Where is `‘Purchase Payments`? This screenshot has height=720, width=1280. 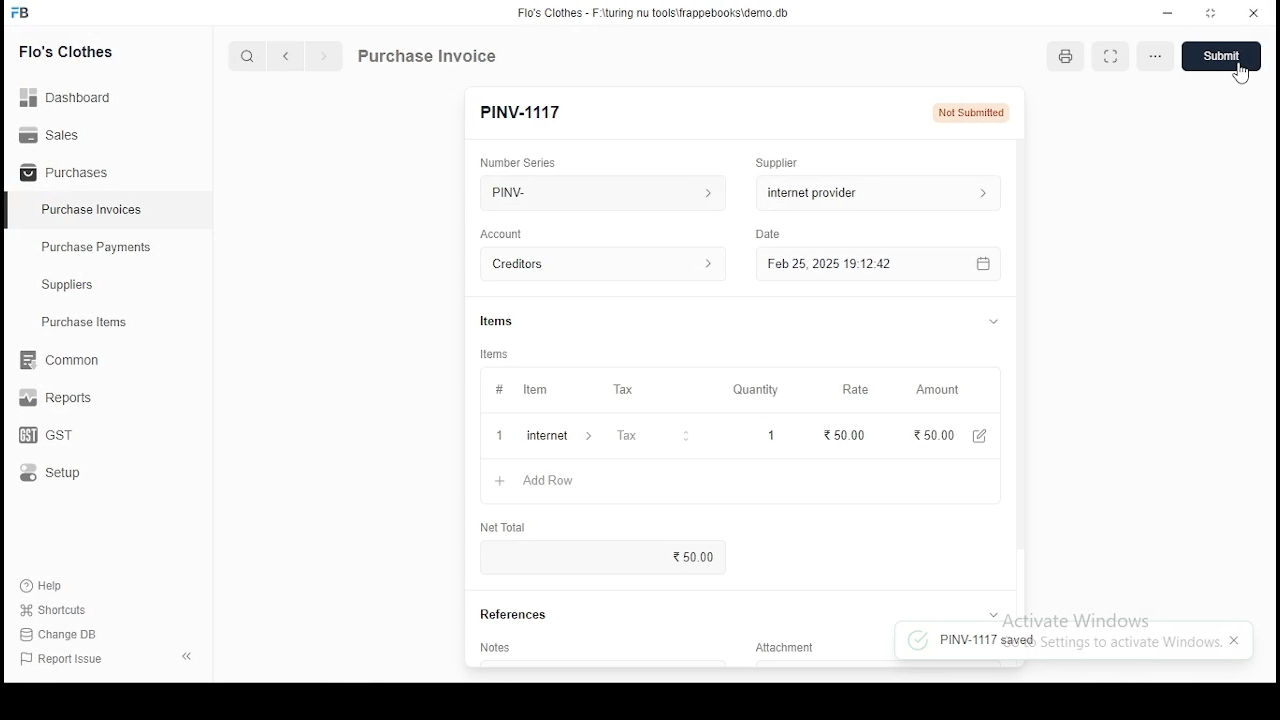 ‘Purchase Payments is located at coordinates (98, 247).